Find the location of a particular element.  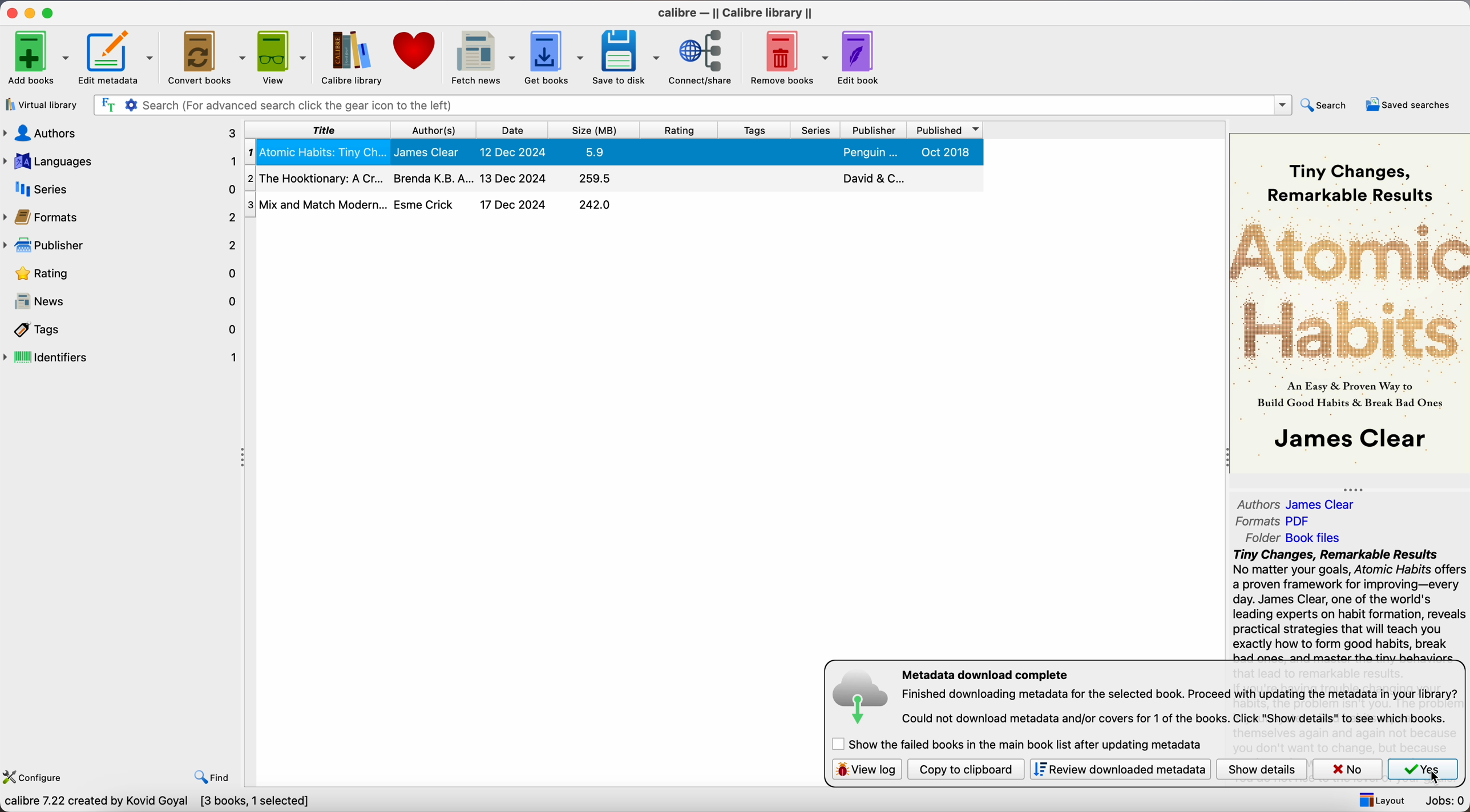

Show the failed books in the main book list after updating metadata is located at coordinates (1023, 745).